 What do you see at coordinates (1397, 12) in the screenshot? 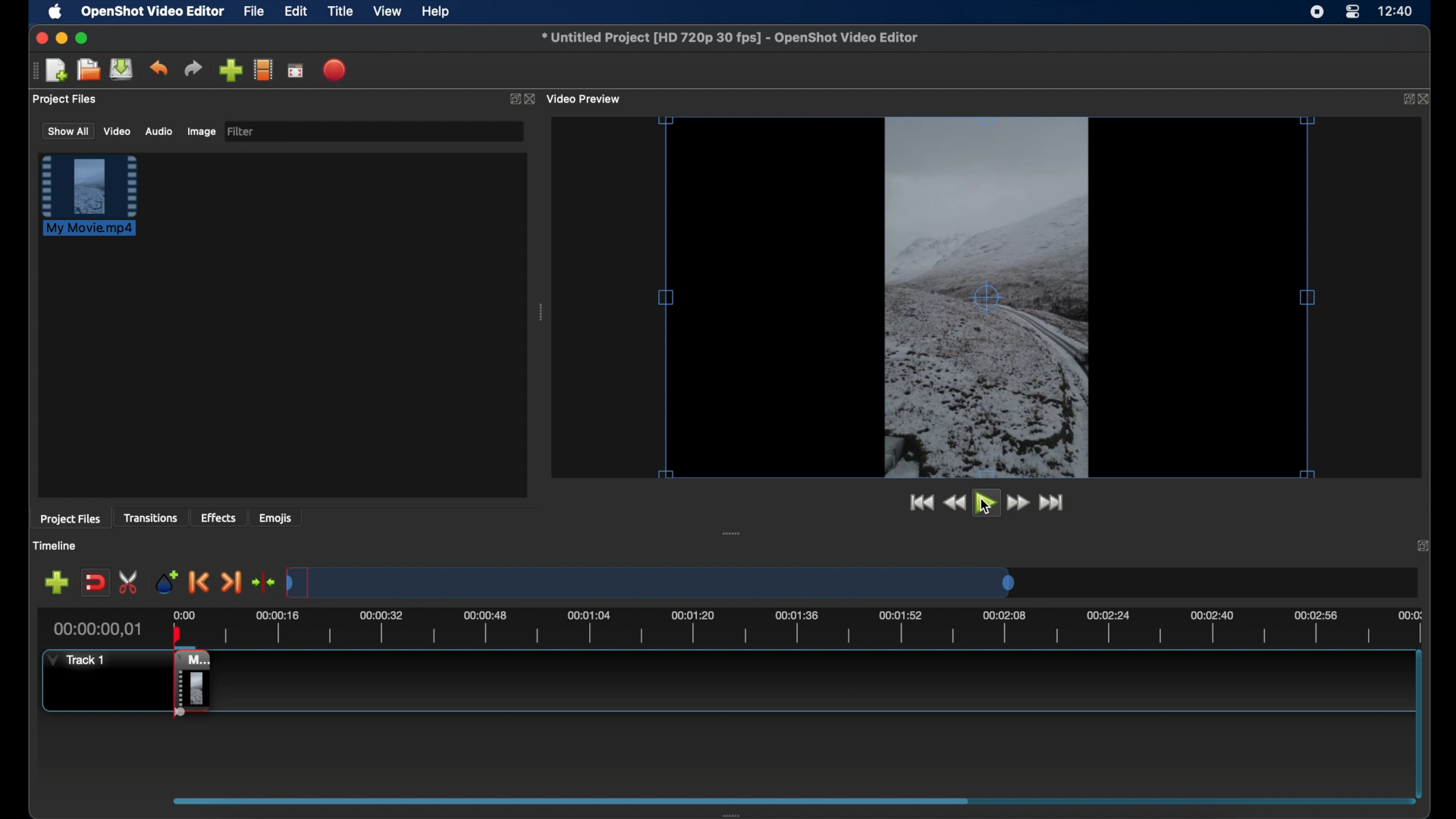
I see `time` at bounding box center [1397, 12].